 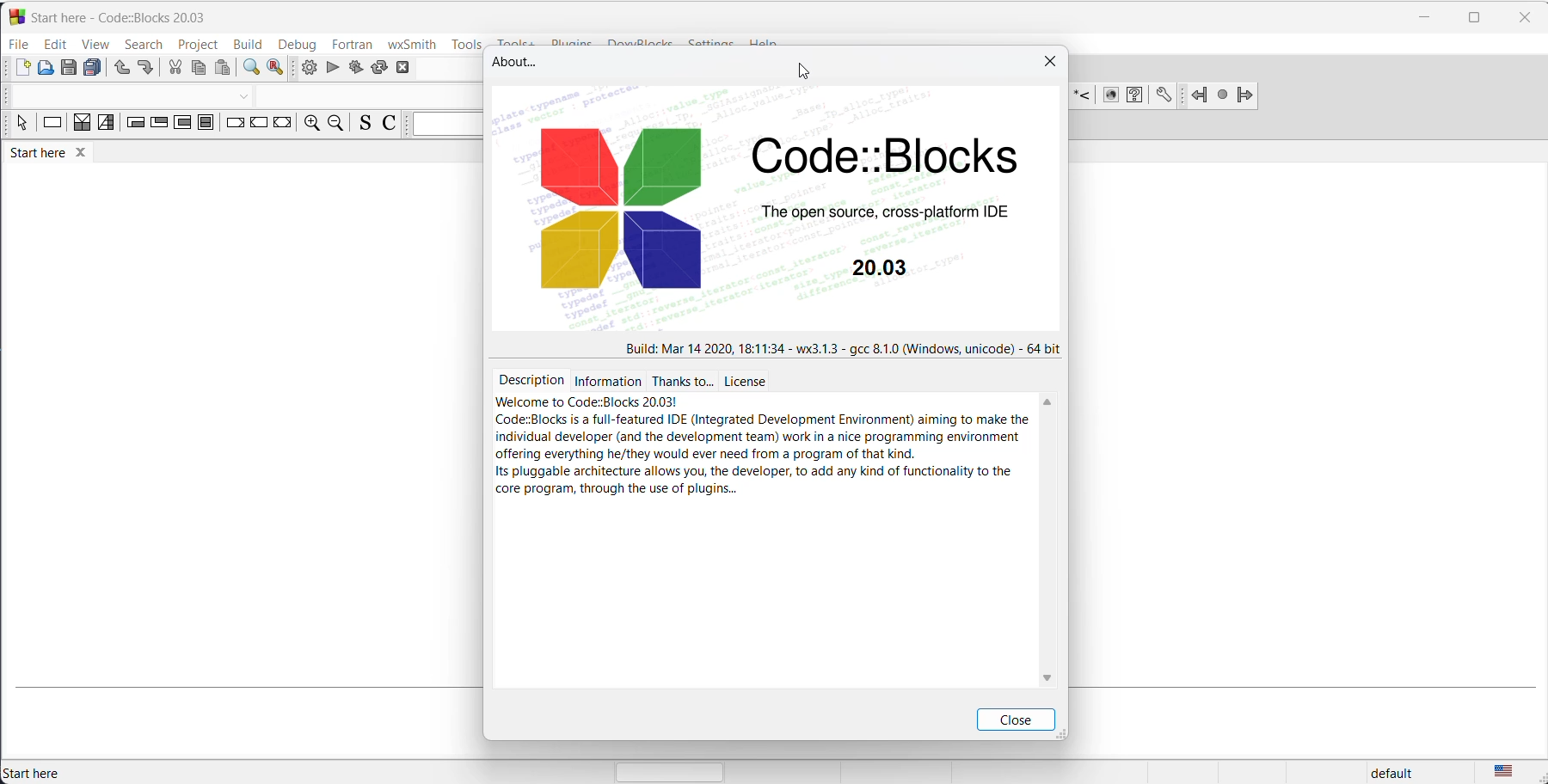 I want to click on logo and version, so click(x=786, y=211).